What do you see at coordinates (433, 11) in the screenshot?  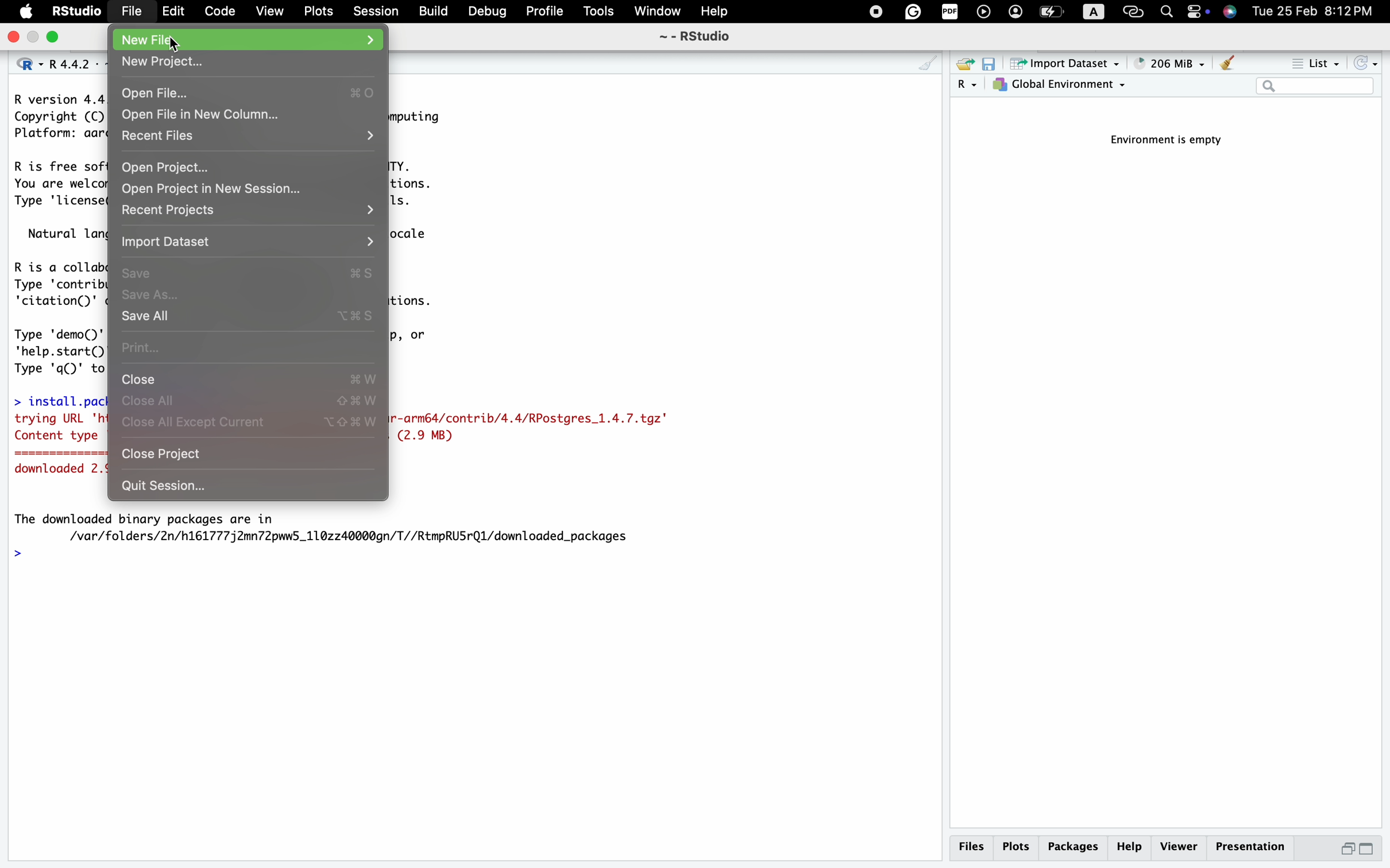 I see `build` at bounding box center [433, 11].